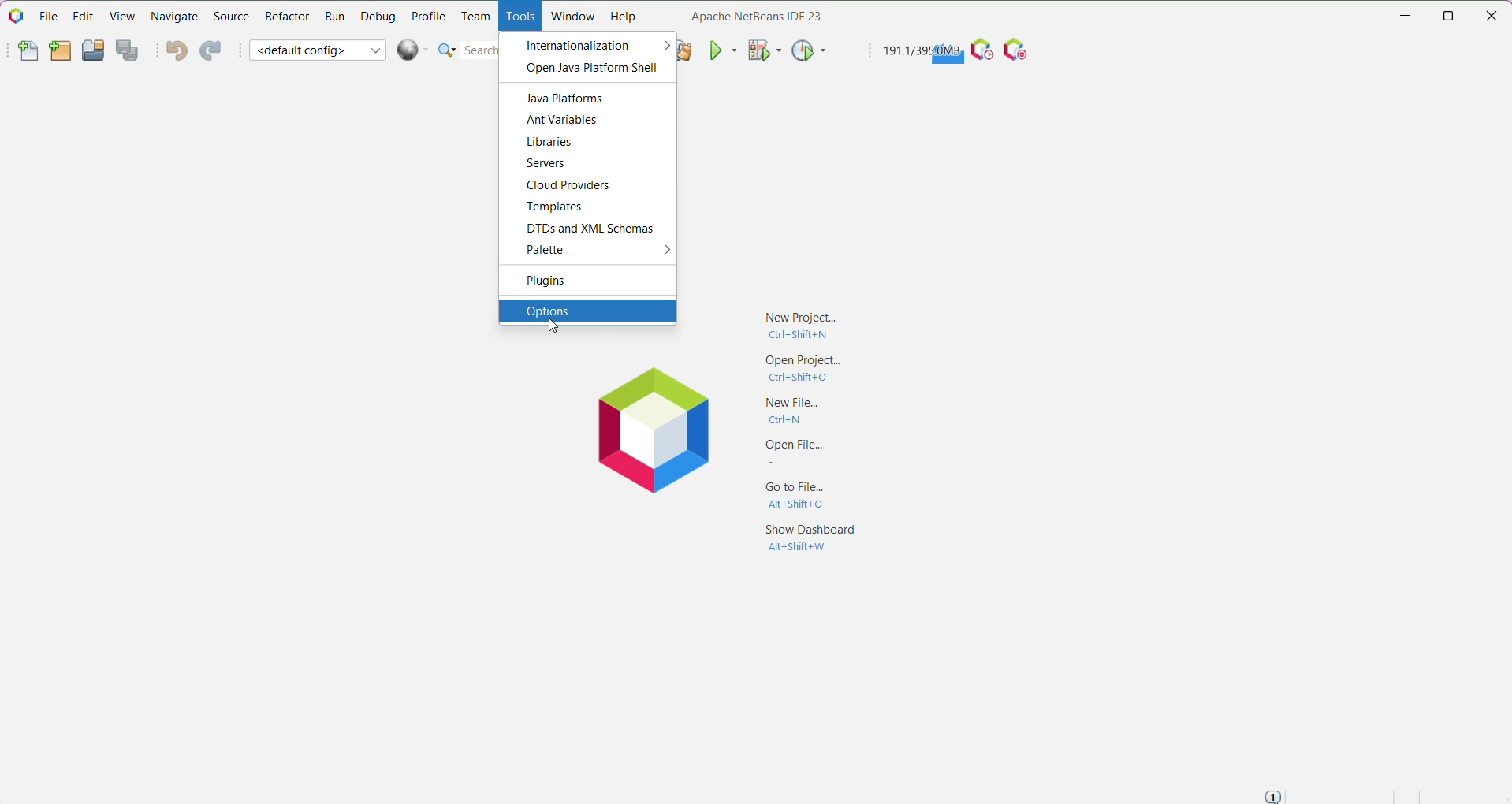 The image size is (1512, 804). Describe the element at coordinates (1276, 795) in the screenshot. I see `Notifications` at that location.